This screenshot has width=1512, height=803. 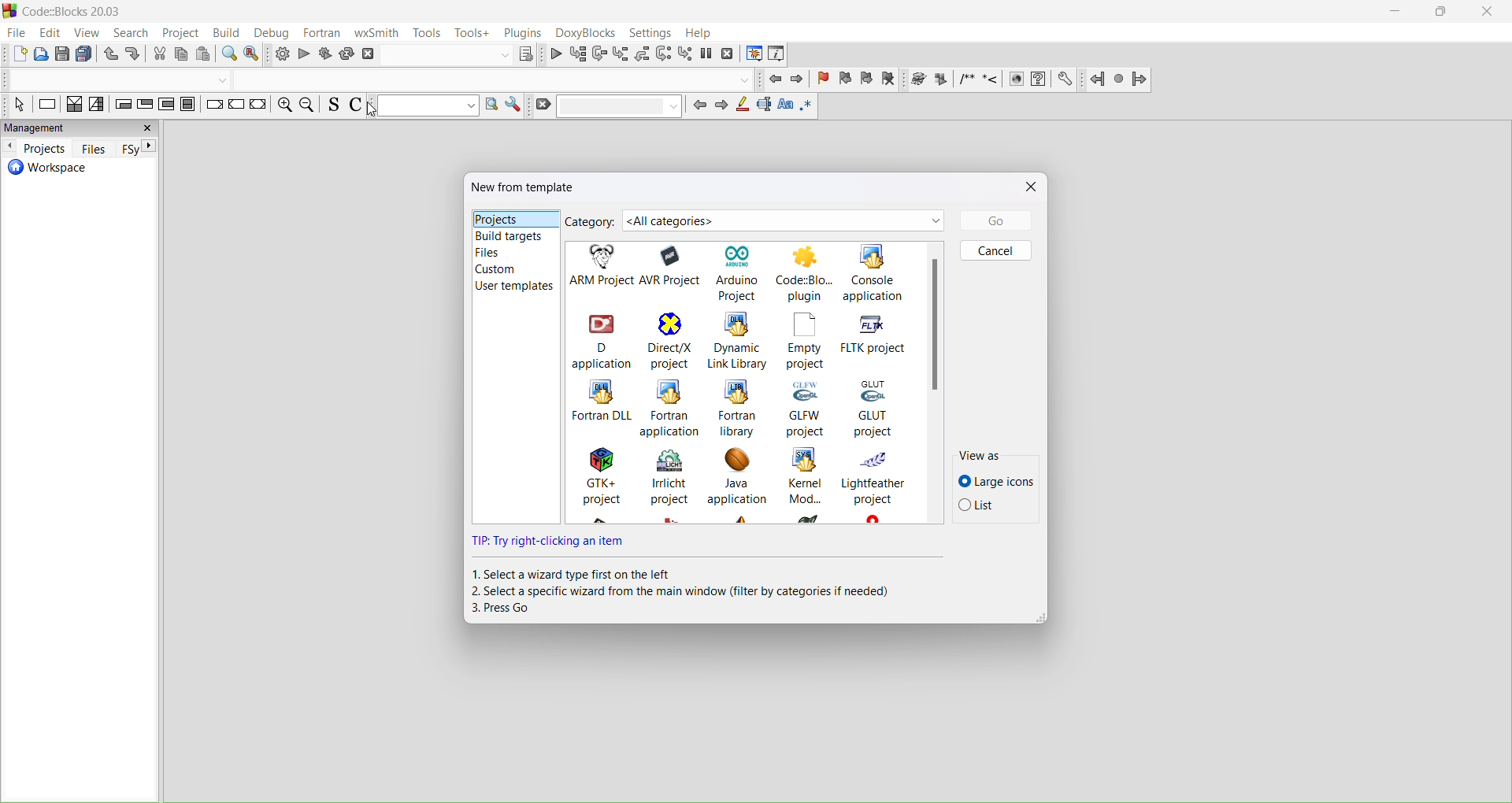 I want to click on cut, so click(x=159, y=55).